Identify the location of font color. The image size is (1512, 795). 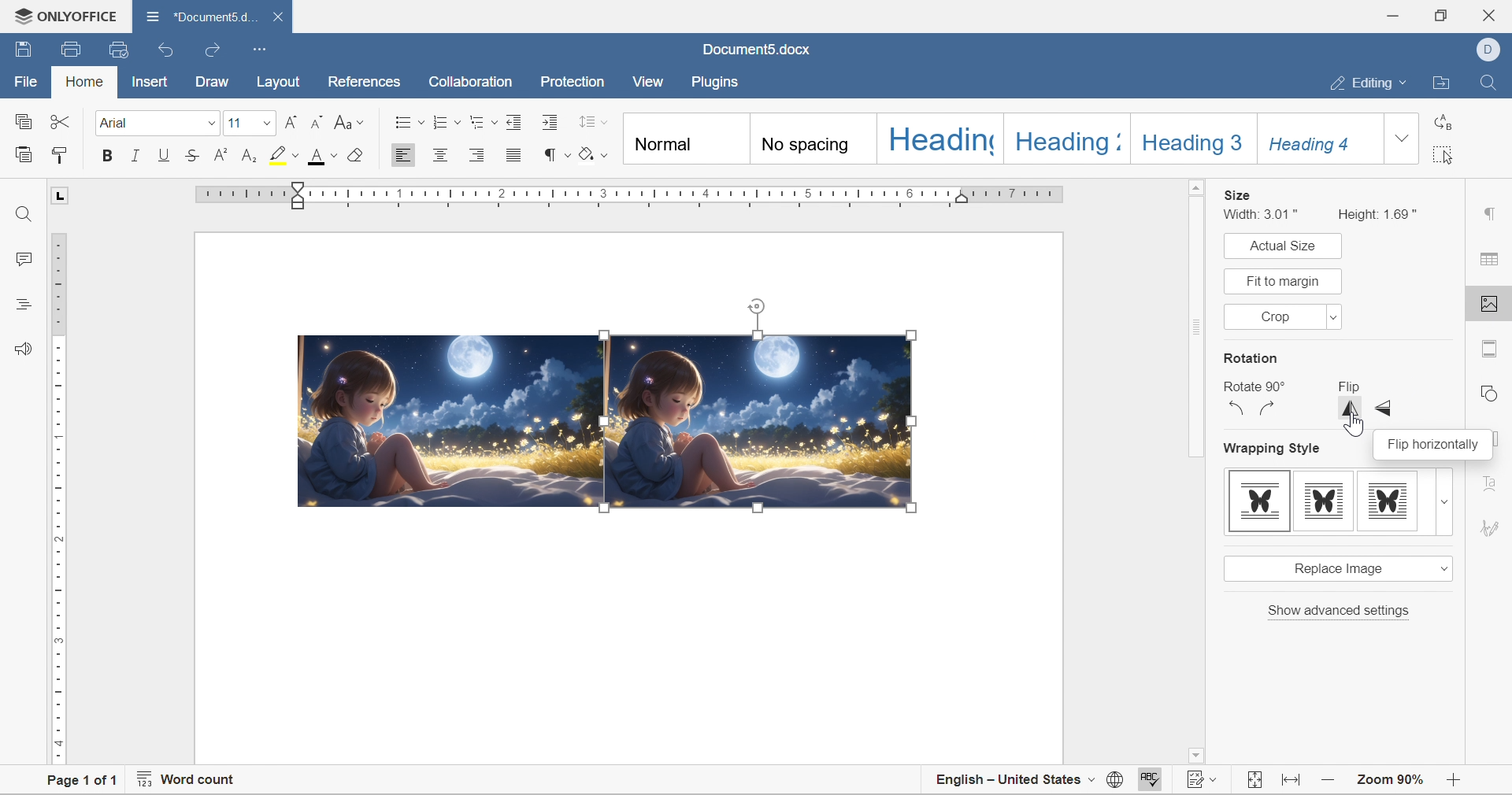
(324, 155).